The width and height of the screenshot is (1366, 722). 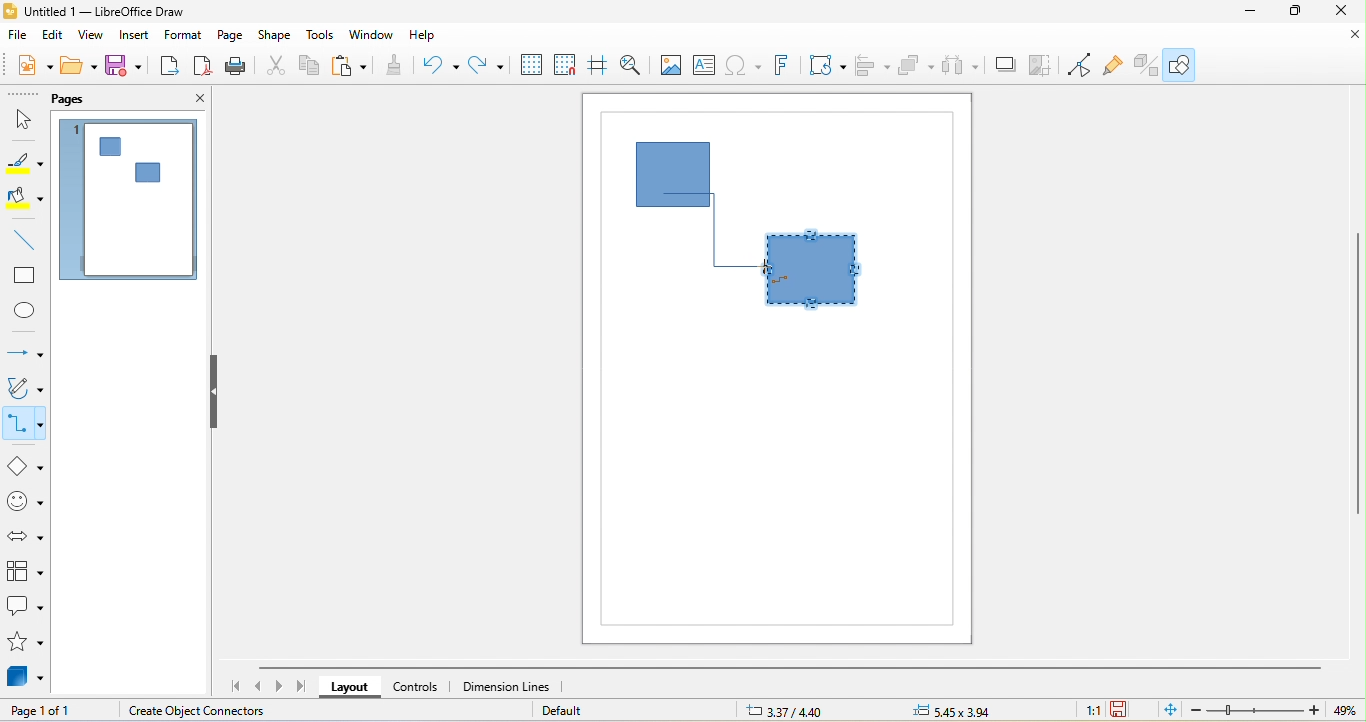 I want to click on text box, so click(x=704, y=65).